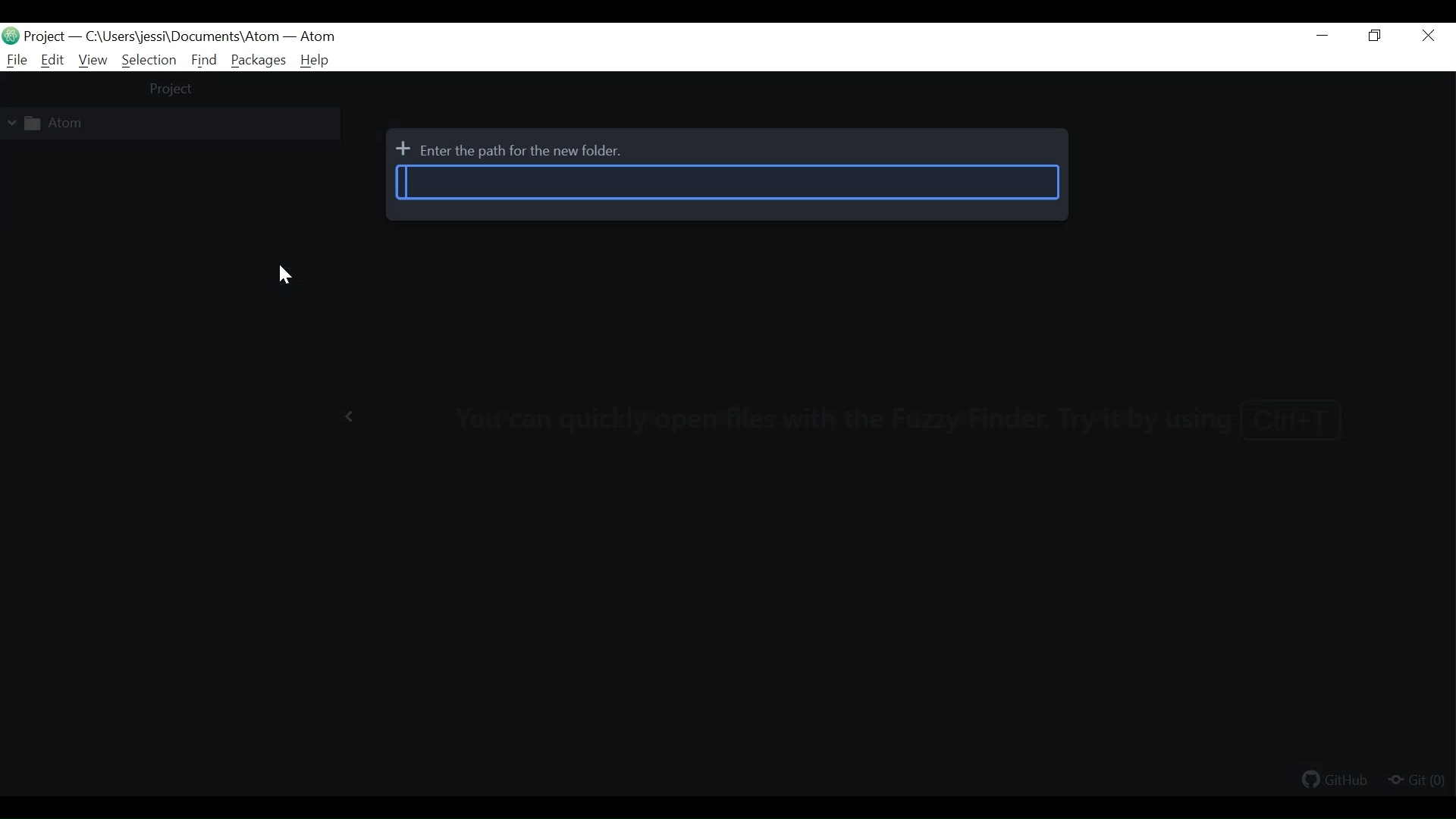  I want to click on project, so click(172, 90).